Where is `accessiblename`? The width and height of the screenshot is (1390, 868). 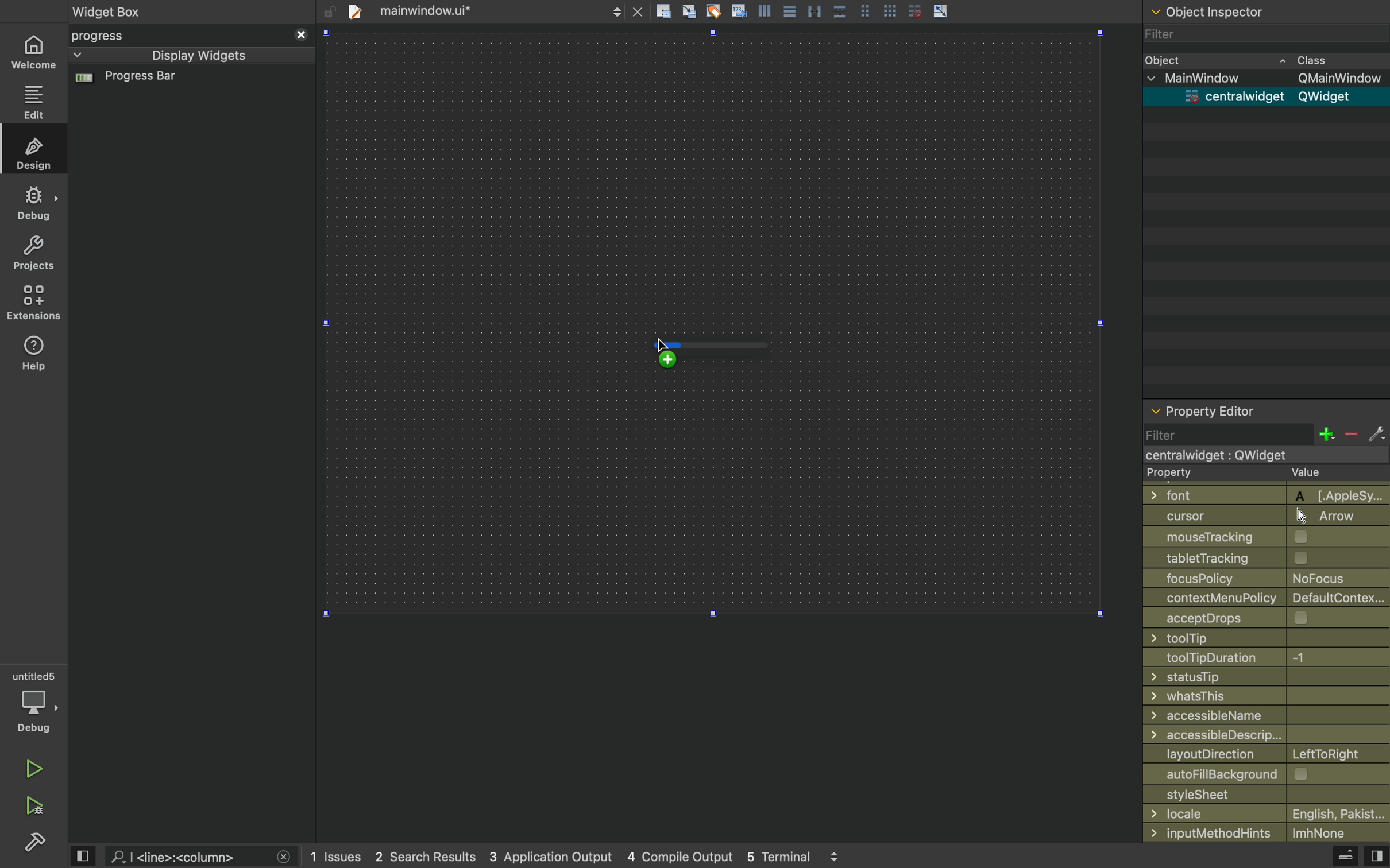
accessiblename is located at coordinates (1262, 715).